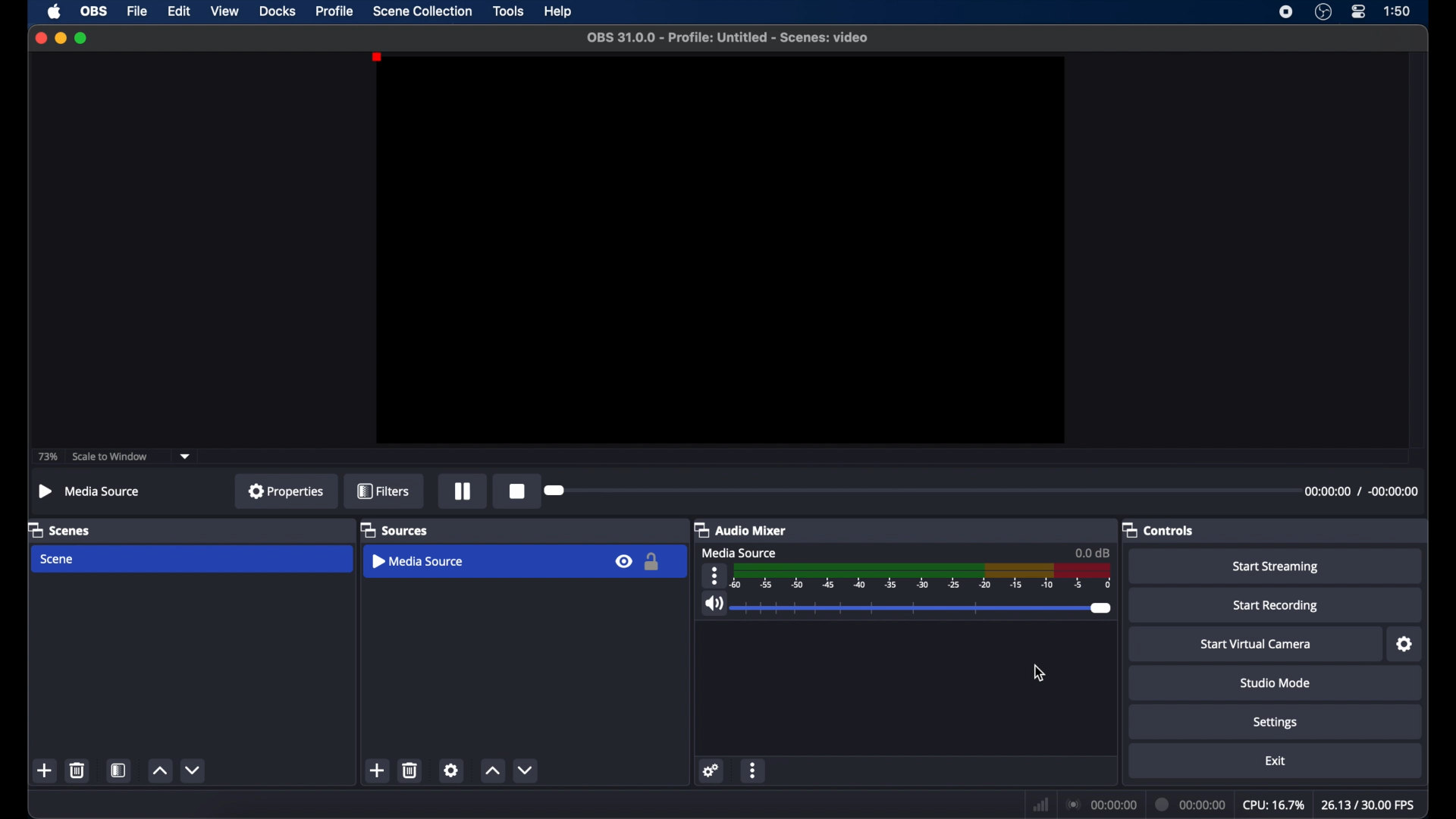 This screenshot has height=819, width=1456. Describe the element at coordinates (45, 770) in the screenshot. I see `add` at that location.